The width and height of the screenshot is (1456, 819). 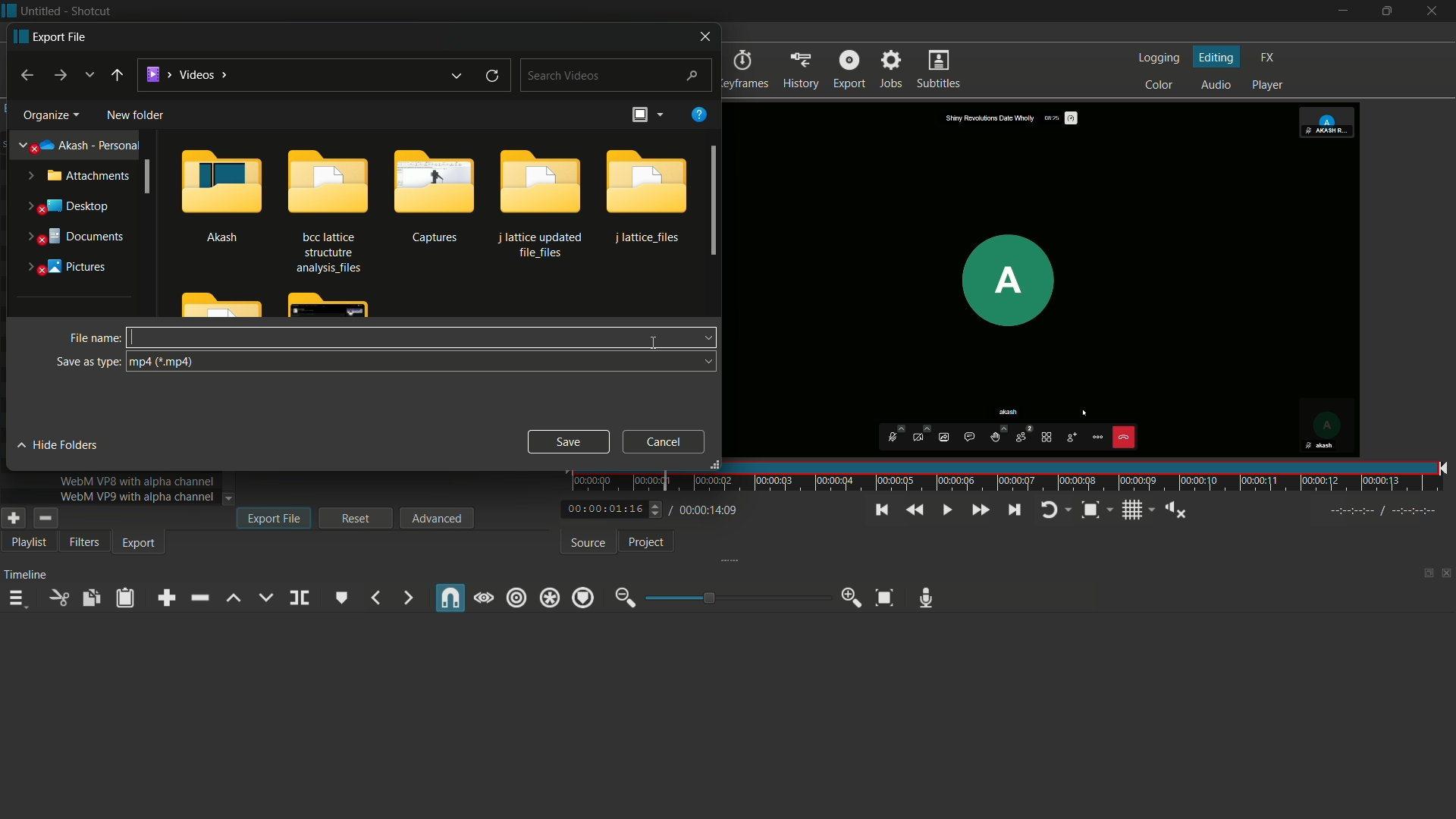 What do you see at coordinates (138, 496) in the screenshot?
I see `text` at bounding box center [138, 496].